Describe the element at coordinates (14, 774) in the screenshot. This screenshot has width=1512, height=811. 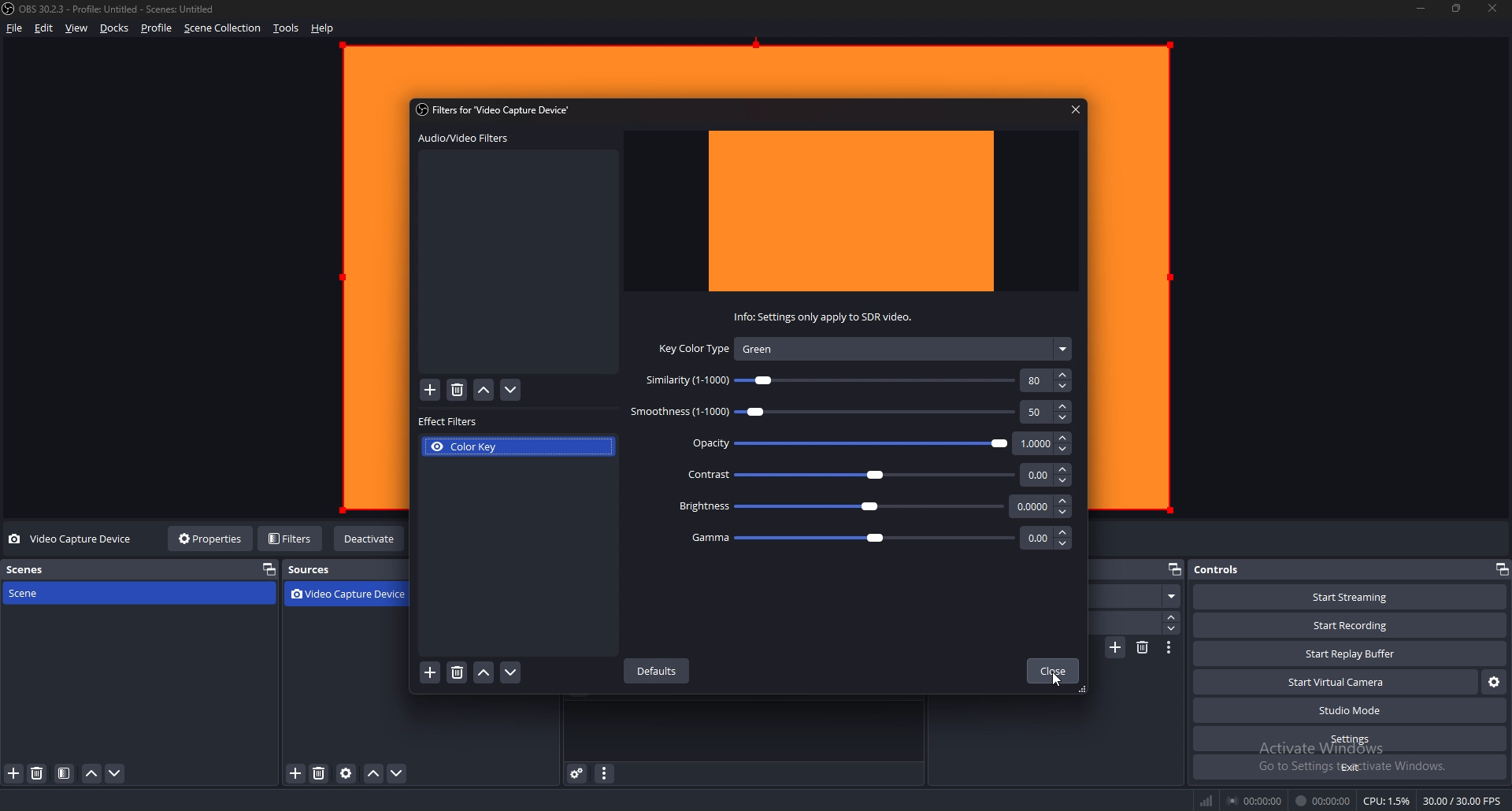
I see `add scene` at that location.